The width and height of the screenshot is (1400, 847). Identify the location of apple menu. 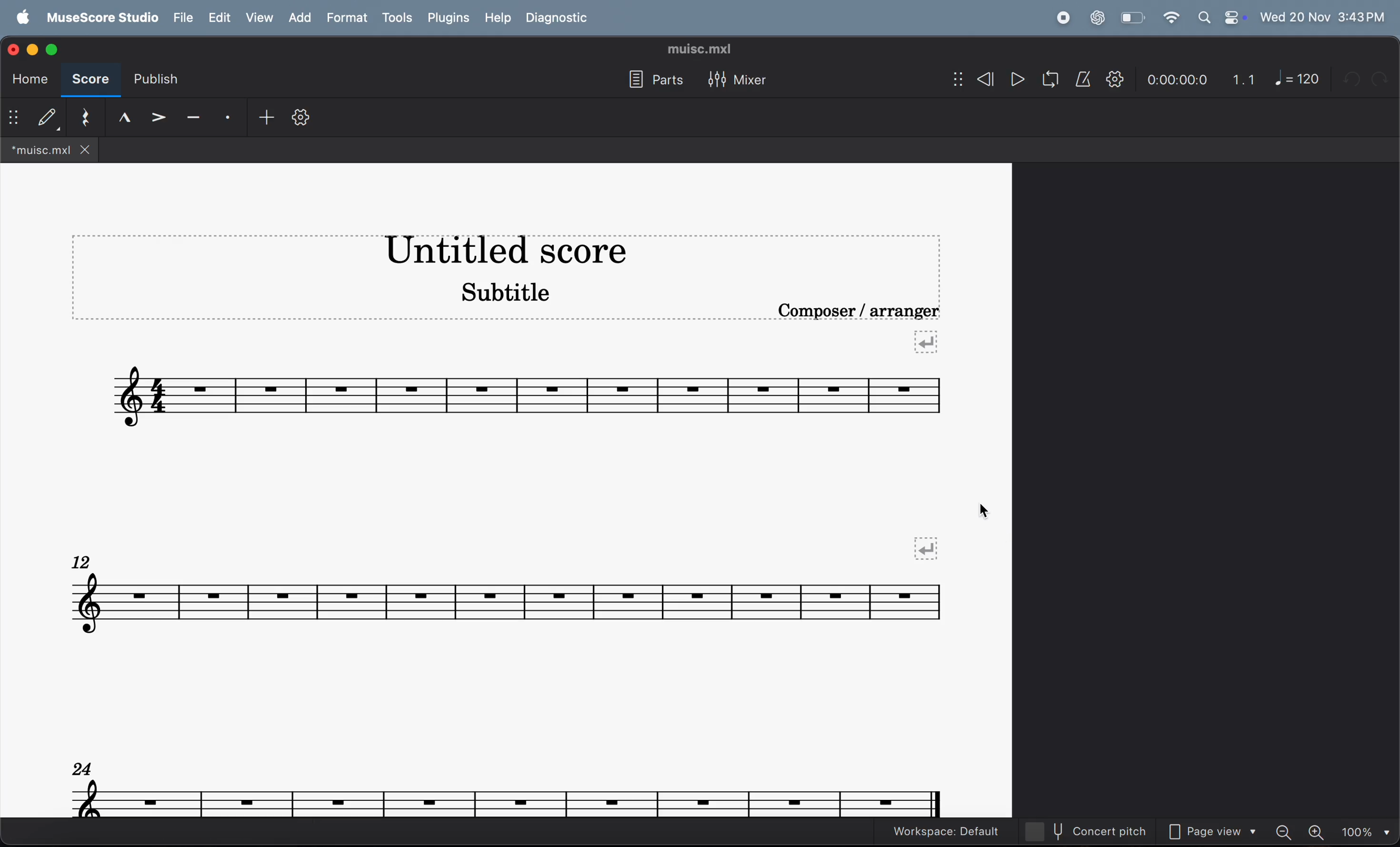
(21, 16).